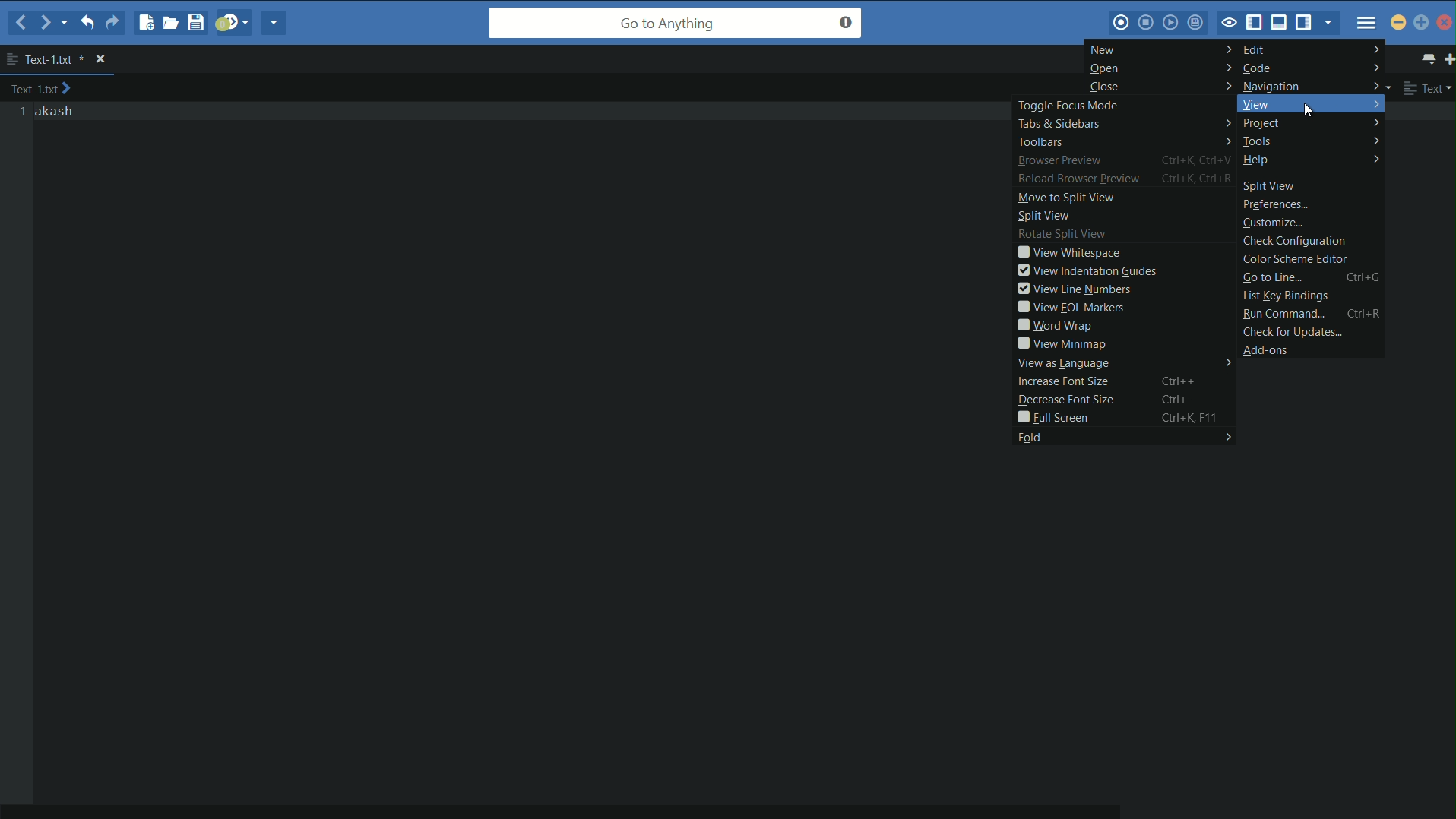 This screenshot has height=819, width=1456. Describe the element at coordinates (100, 59) in the screenshot. I see `close file` at that location.